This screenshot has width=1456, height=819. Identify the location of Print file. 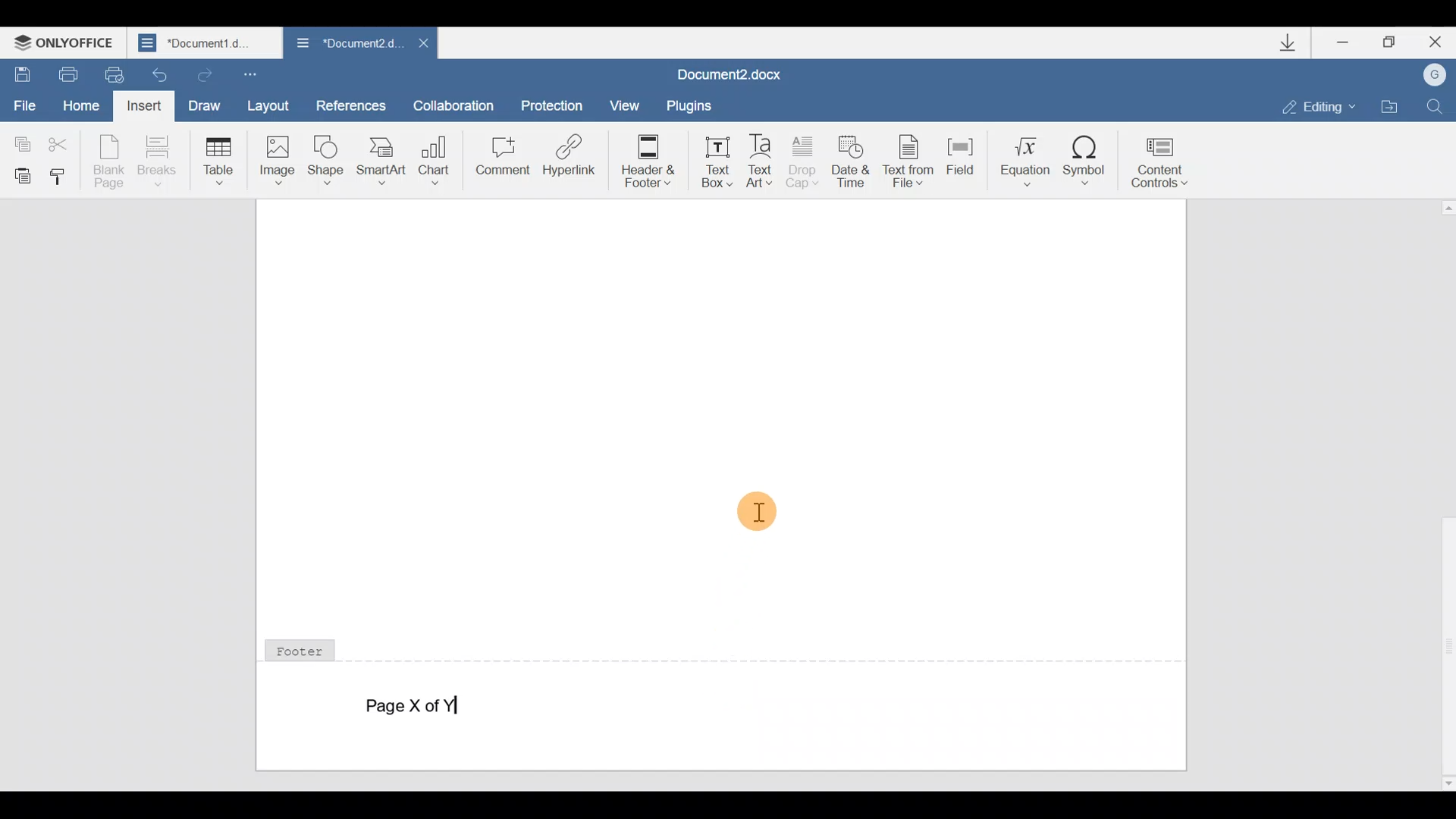
(64, 74).